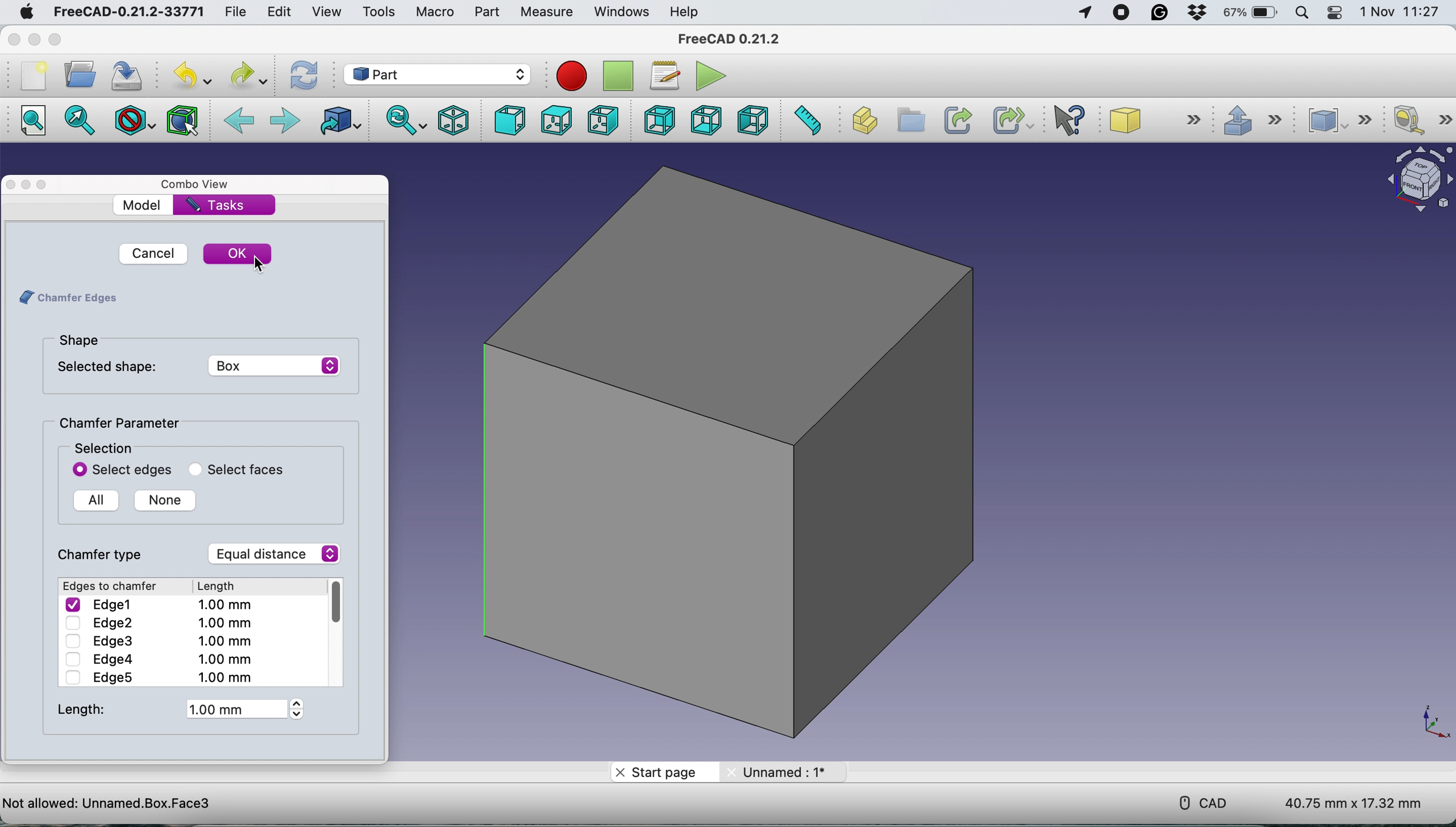 The height and width of the screenshot is (827, 1456). What do you see at coordinates (1397, 12) in the screenshot?
I see `date and time` at bounding box center [1397, 12].